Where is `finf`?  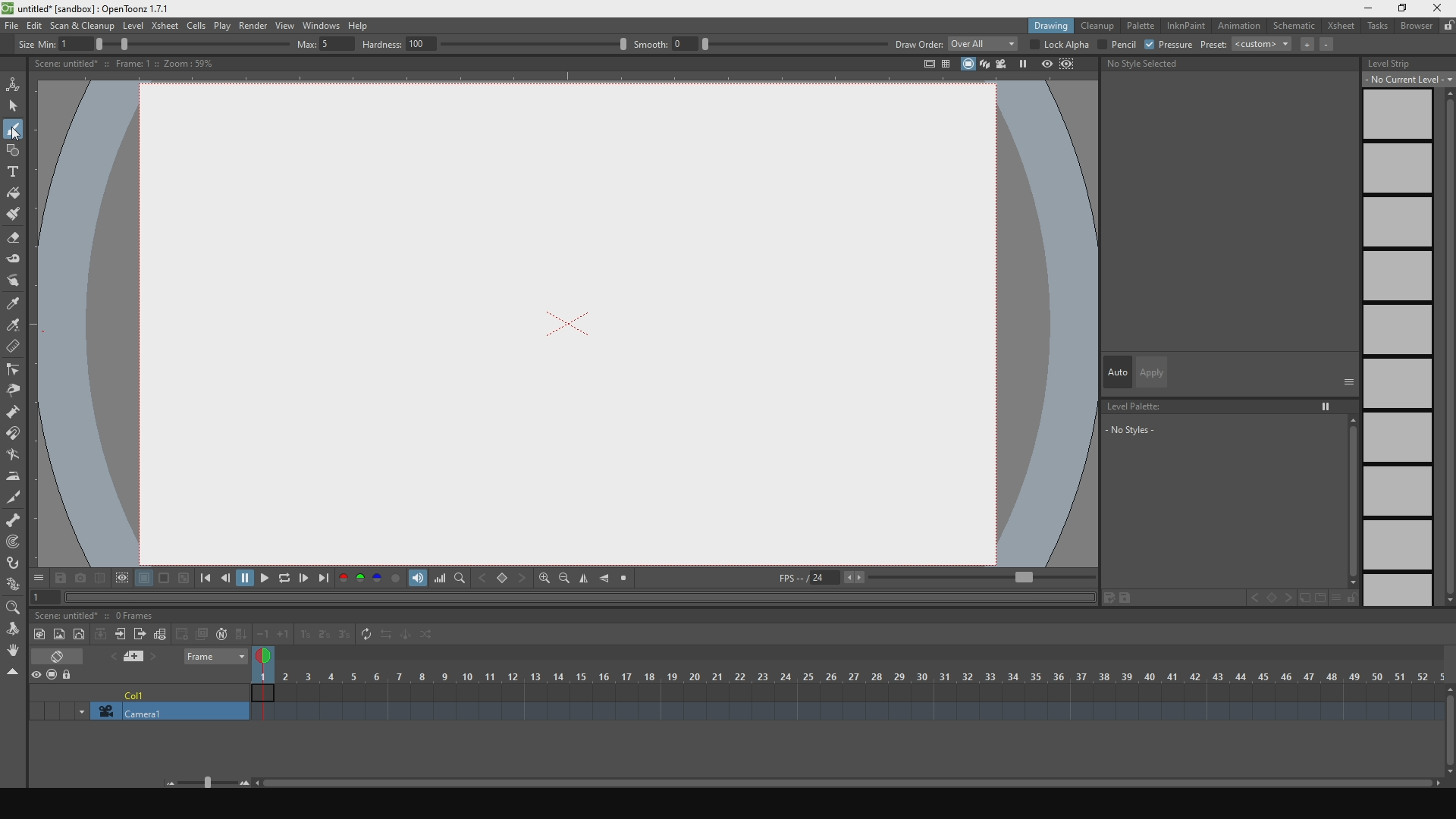
finf is located at coordinates (461, 579).